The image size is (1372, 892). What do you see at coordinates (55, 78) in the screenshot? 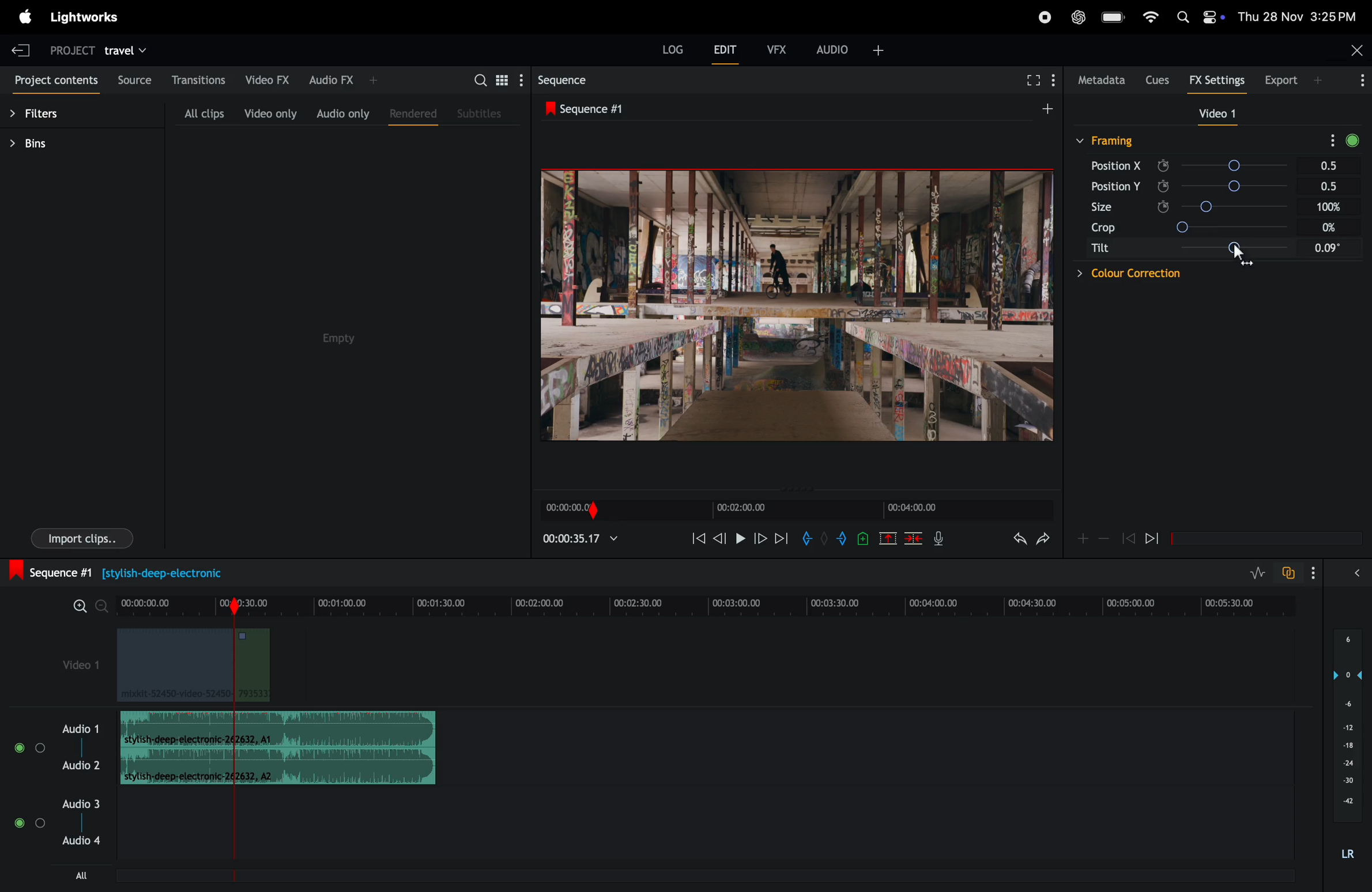
I see `projects contents` at bounding box center [55, 78].